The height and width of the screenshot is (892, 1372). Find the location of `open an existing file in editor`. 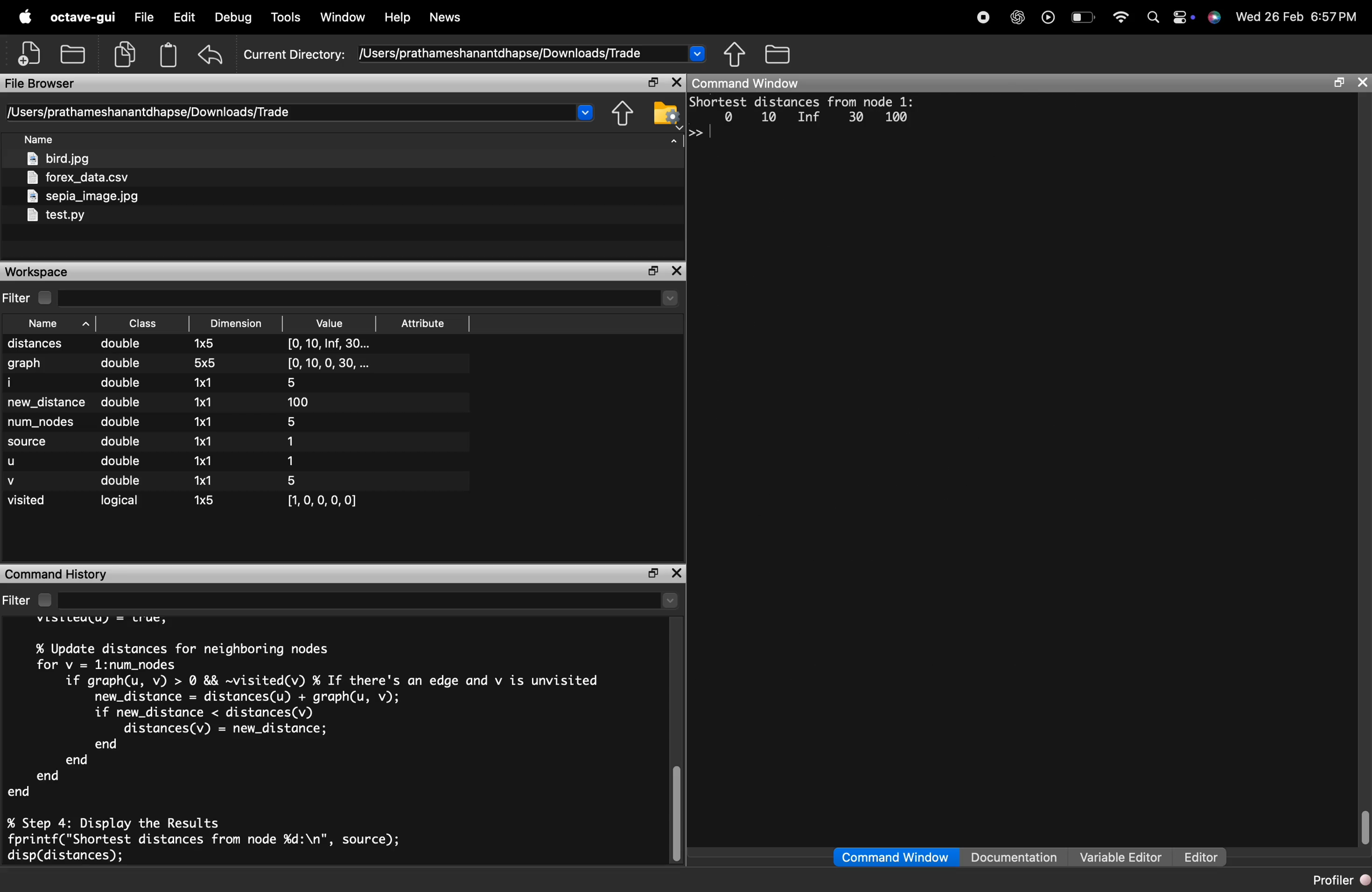

open an existing file in editor is located at coordinates (75, 53).